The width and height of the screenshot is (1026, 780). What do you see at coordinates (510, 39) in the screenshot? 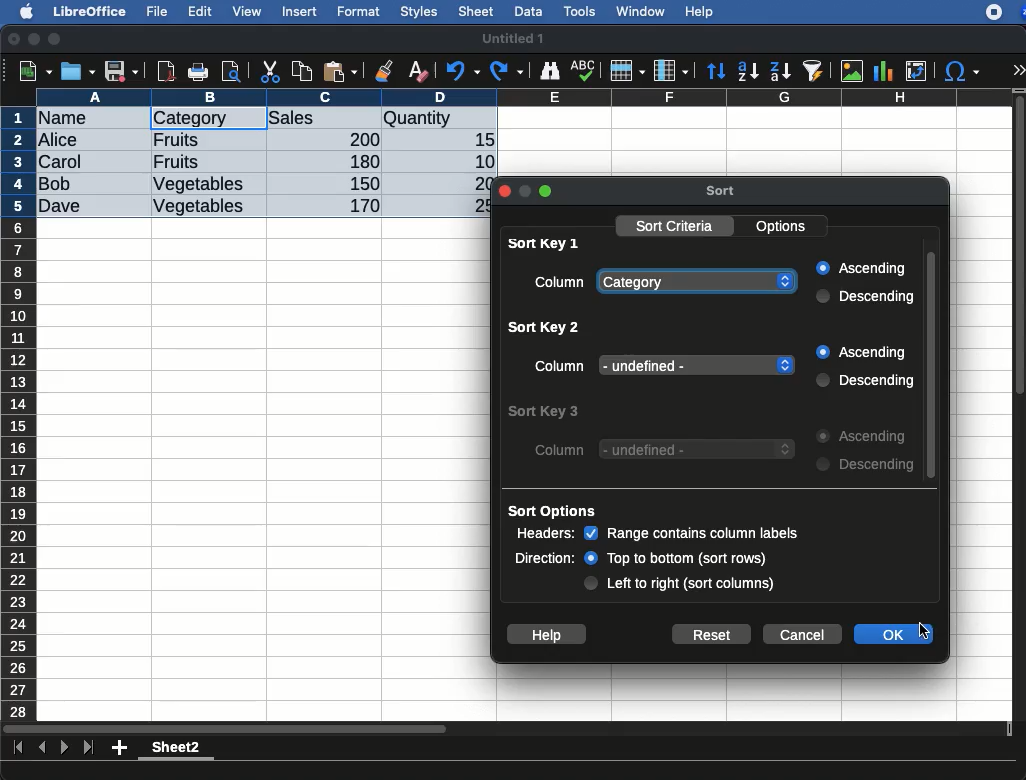
I see `untitled` at bounding box center [510, 39].